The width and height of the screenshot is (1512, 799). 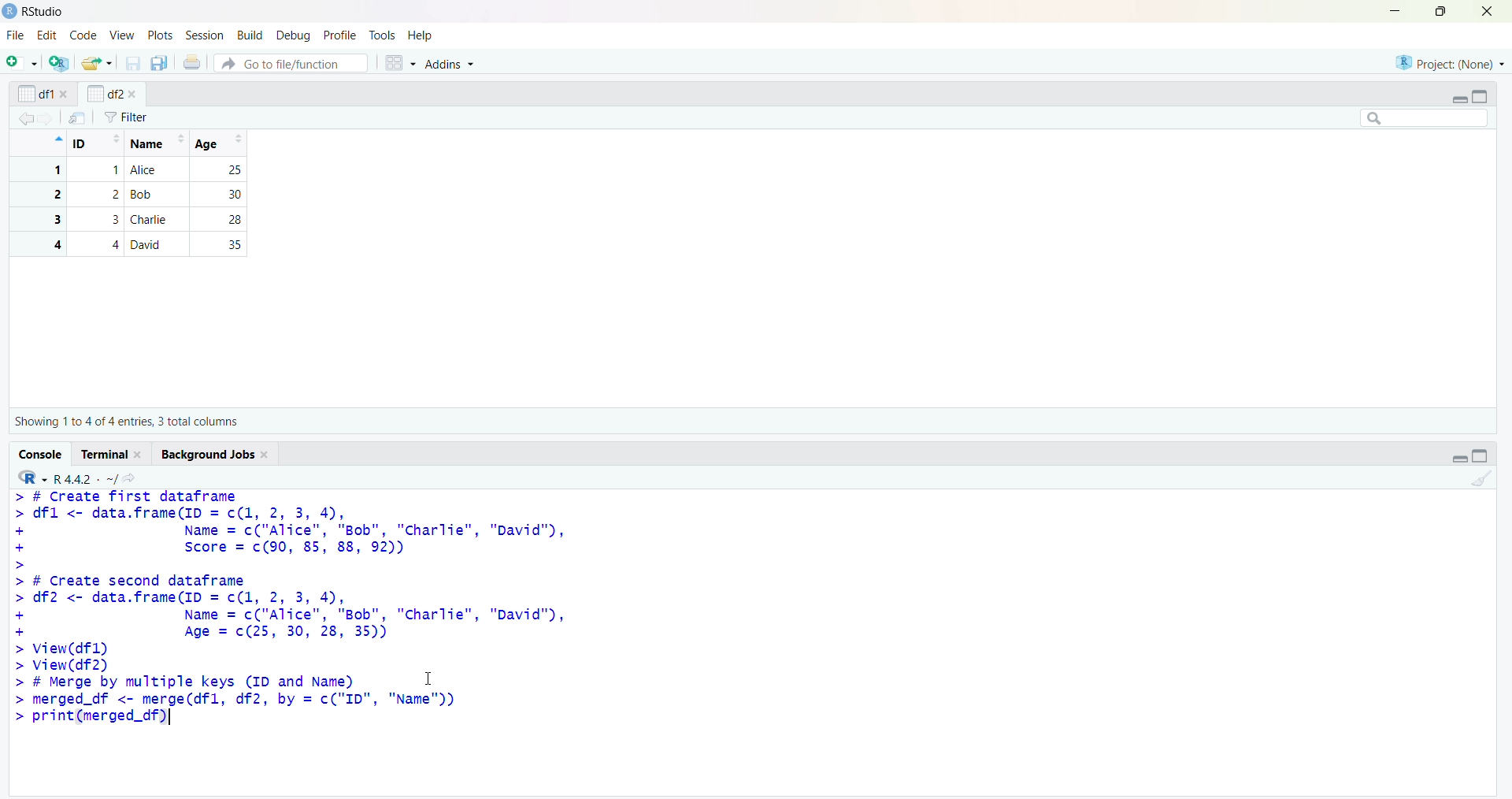 I want to click on Help, so click(x=420, y=35).